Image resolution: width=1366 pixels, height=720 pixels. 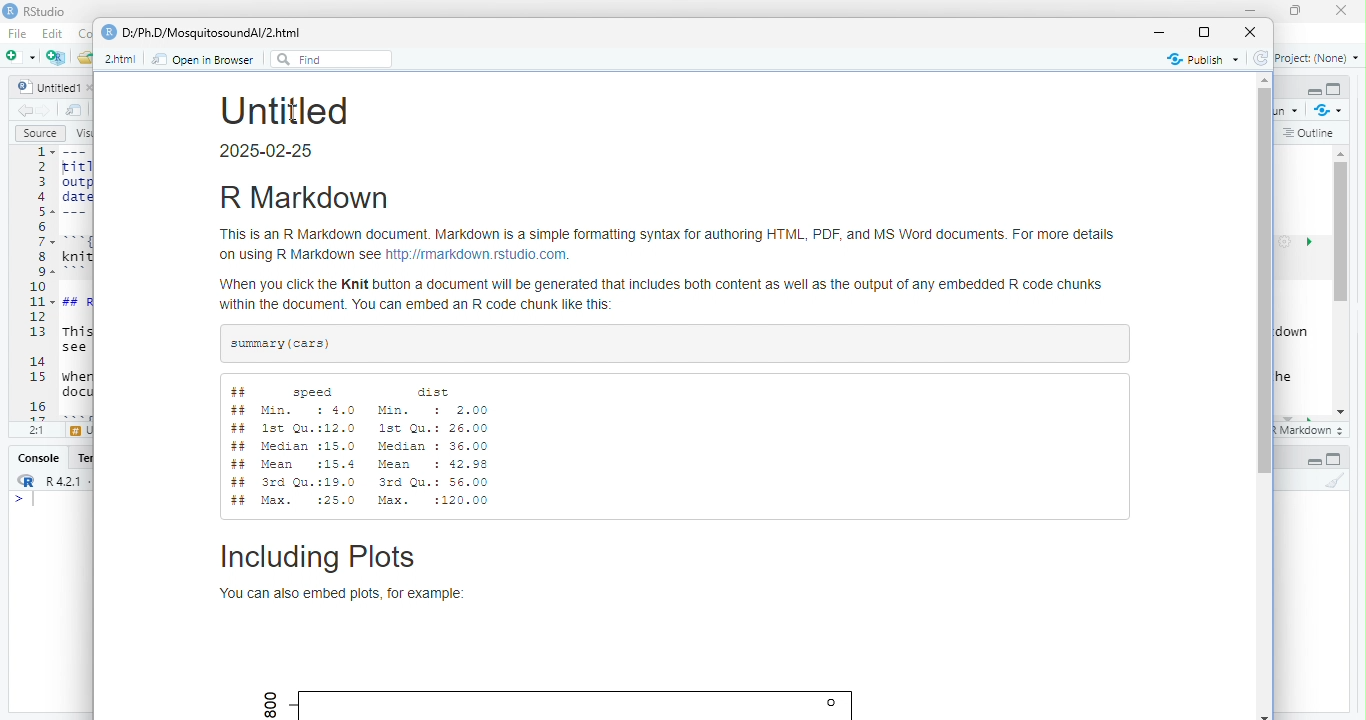 I want to click on Settings, so click(x=1285, y=242).